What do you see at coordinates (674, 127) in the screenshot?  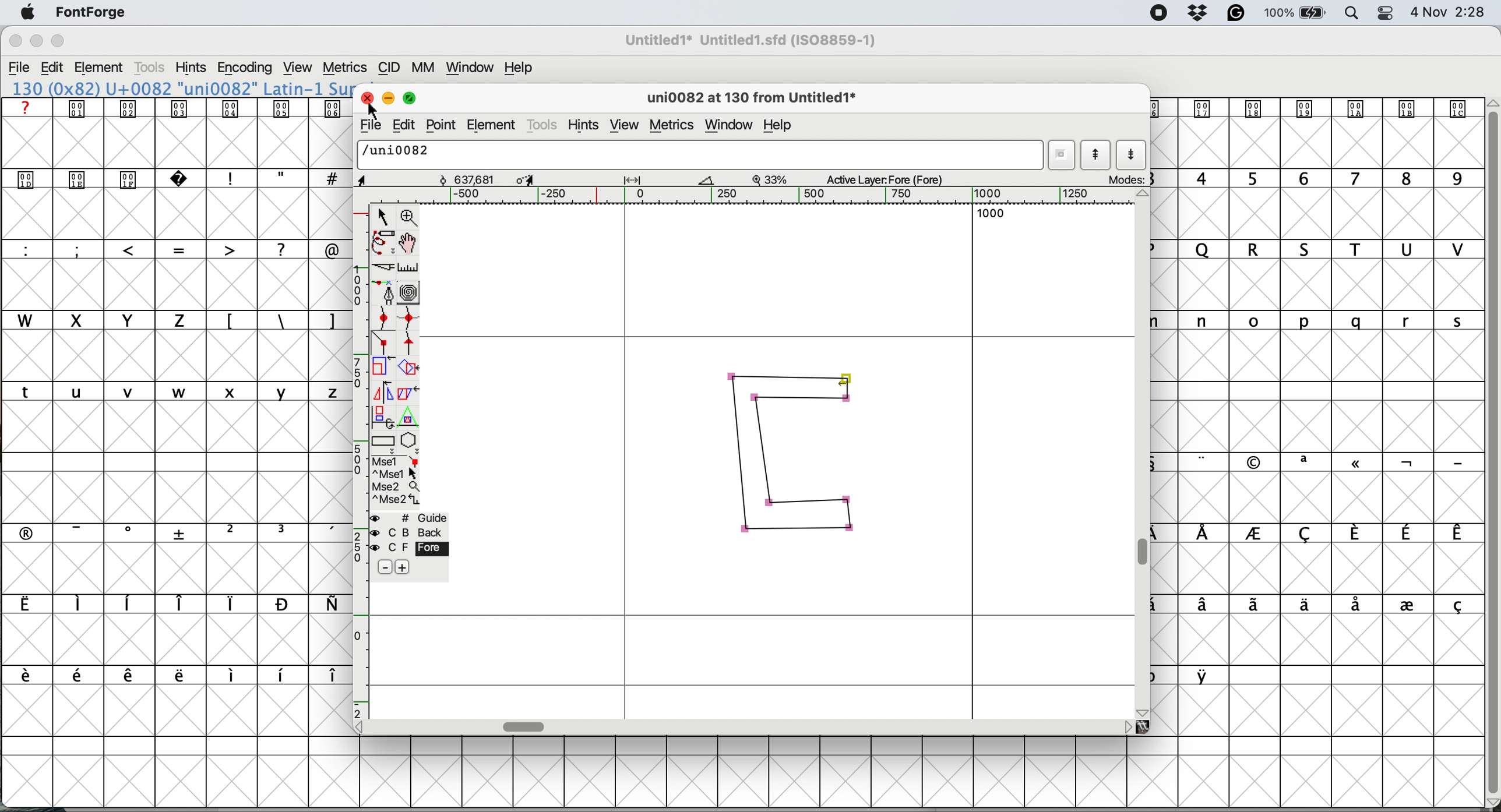 I see `metrics` at bounding box center [674, 127].